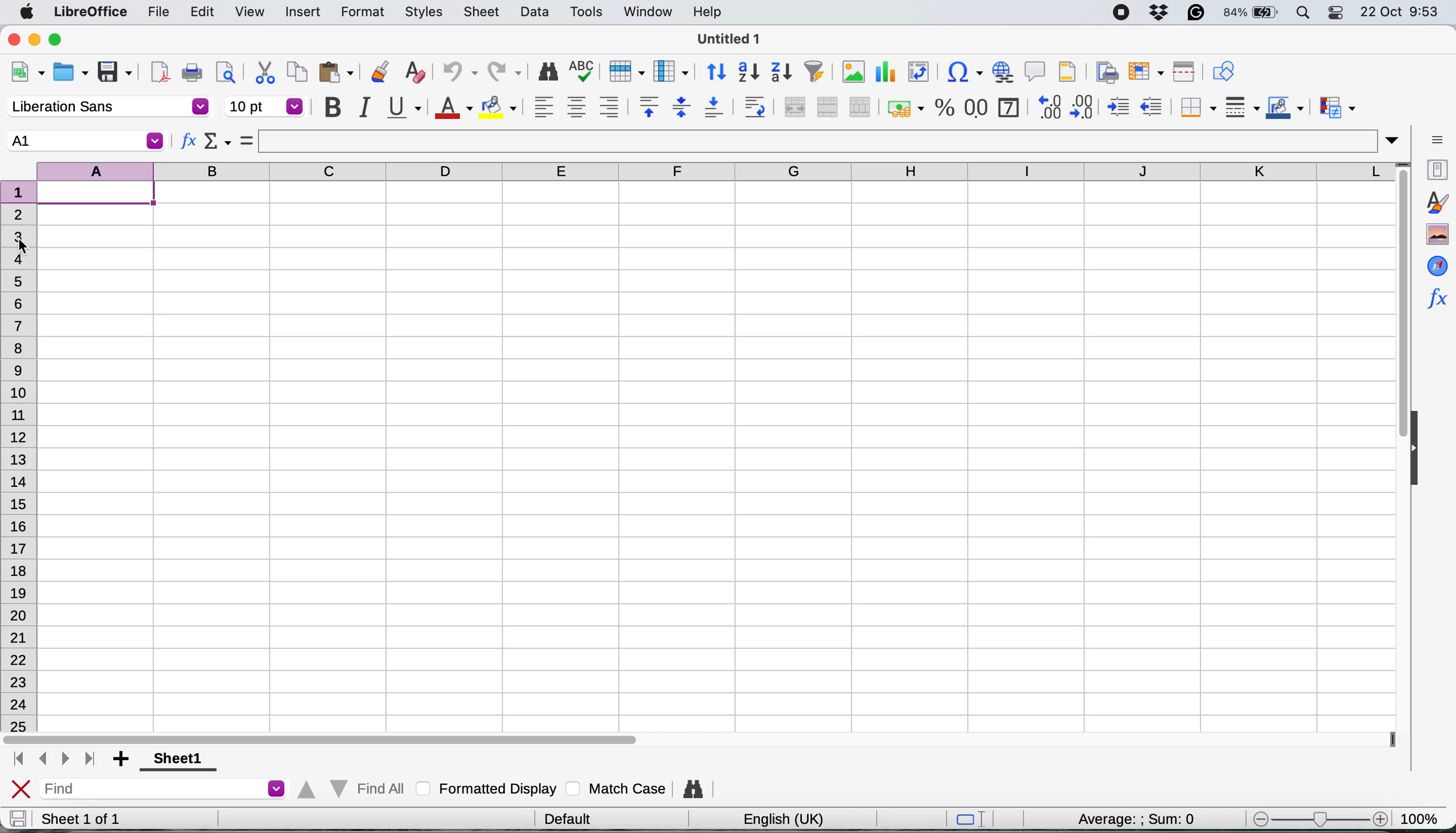 The image size is (1456, 833). What do you see at coordinates (116, 73) in the screenshot?
I see `save` at bounding box center [116, 73].